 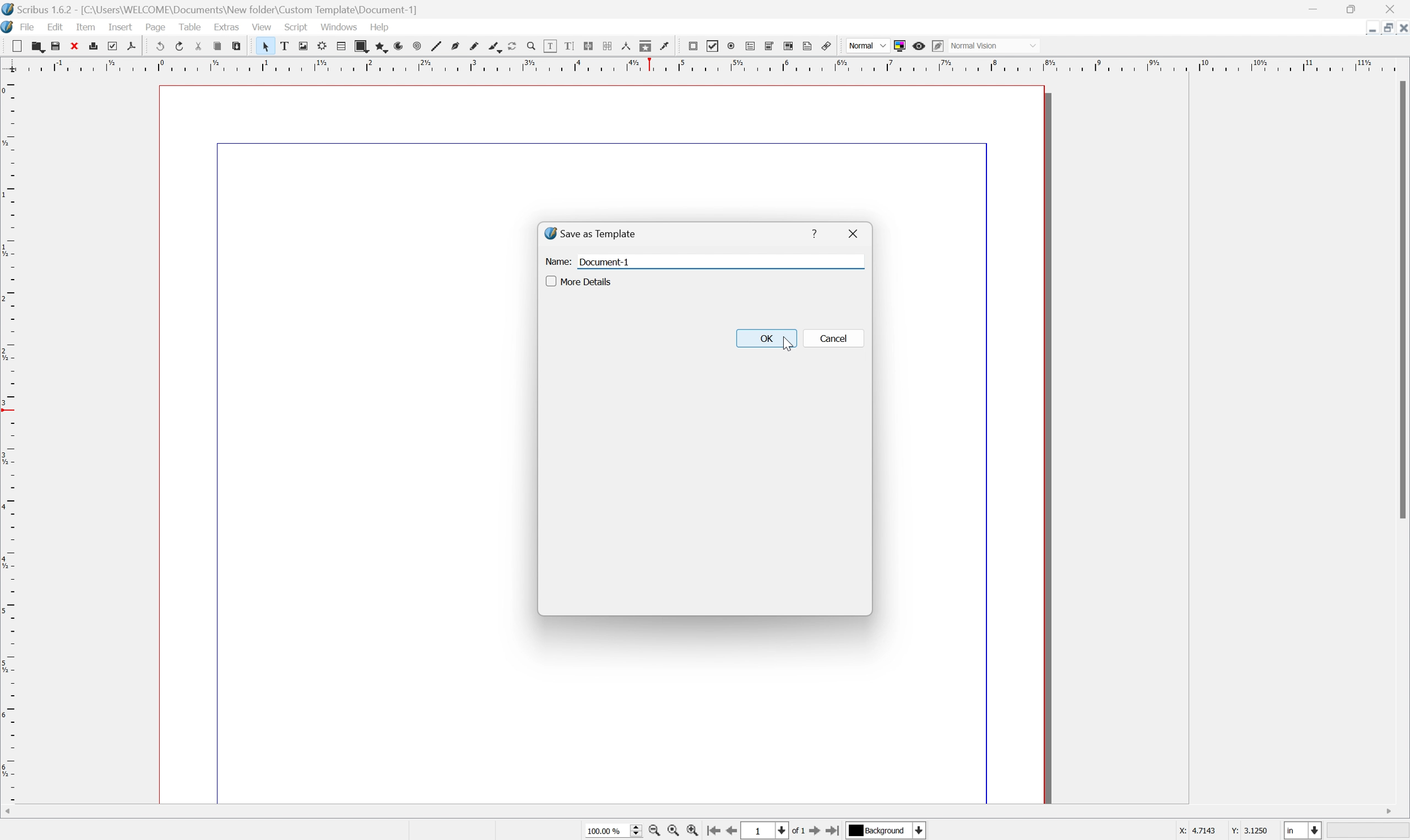 What do you see at coordinates (591, 235) in the screenshot?
I see `Save as template` at bounding box center [591, 235].